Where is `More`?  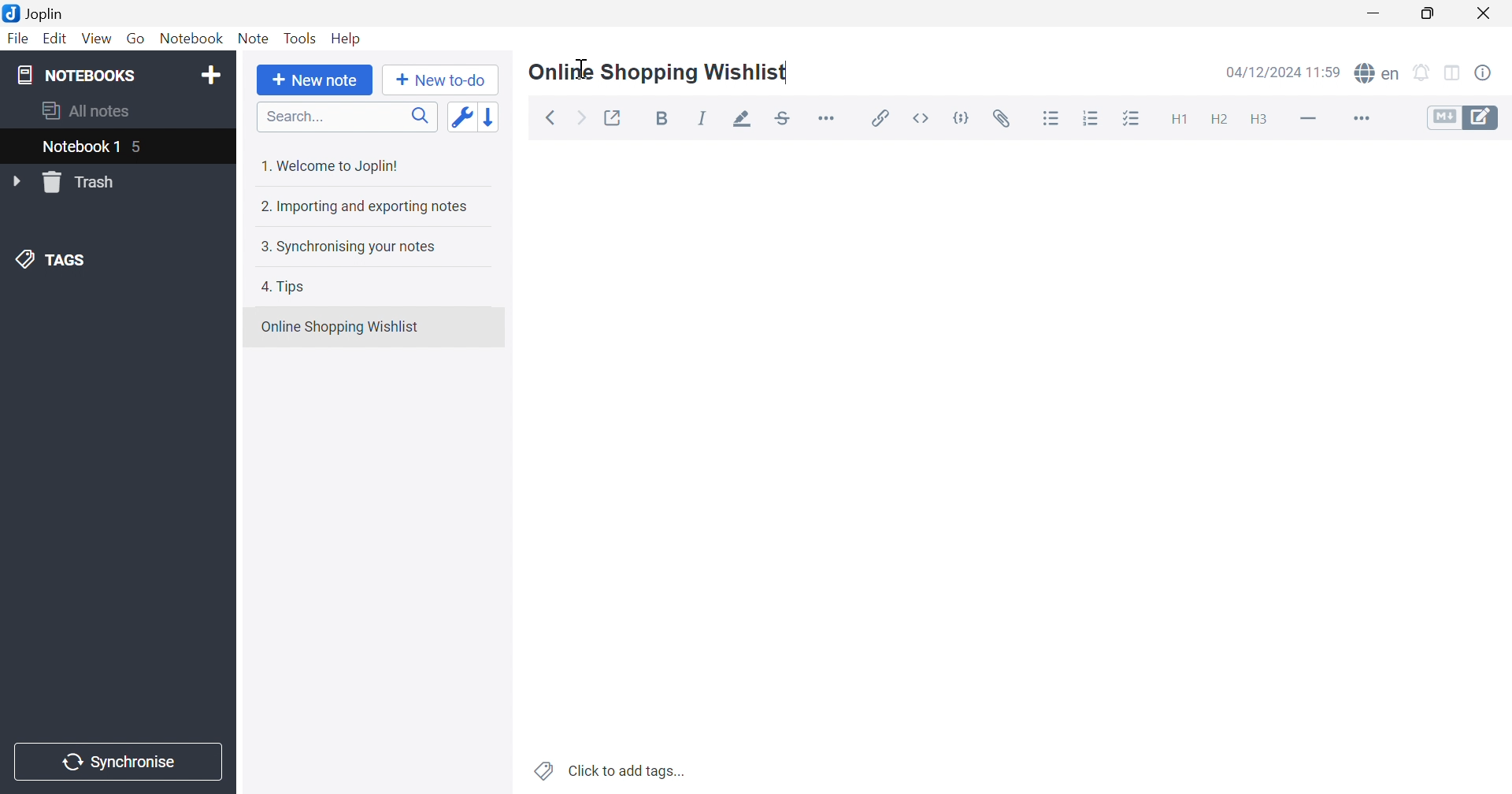 More is located at coordinates (1364, 118).